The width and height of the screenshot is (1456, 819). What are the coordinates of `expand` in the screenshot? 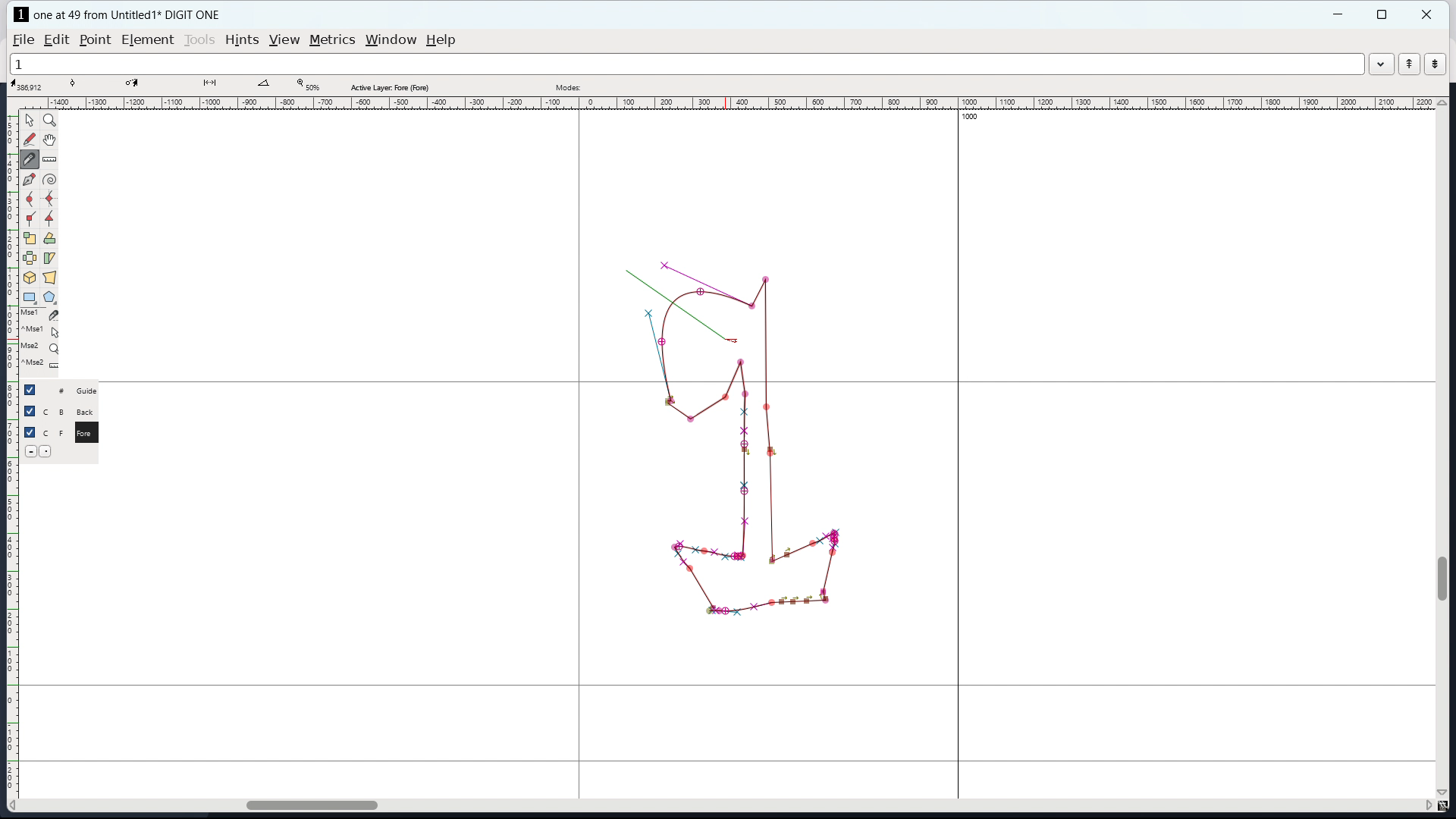 It's located at (1380, 66).